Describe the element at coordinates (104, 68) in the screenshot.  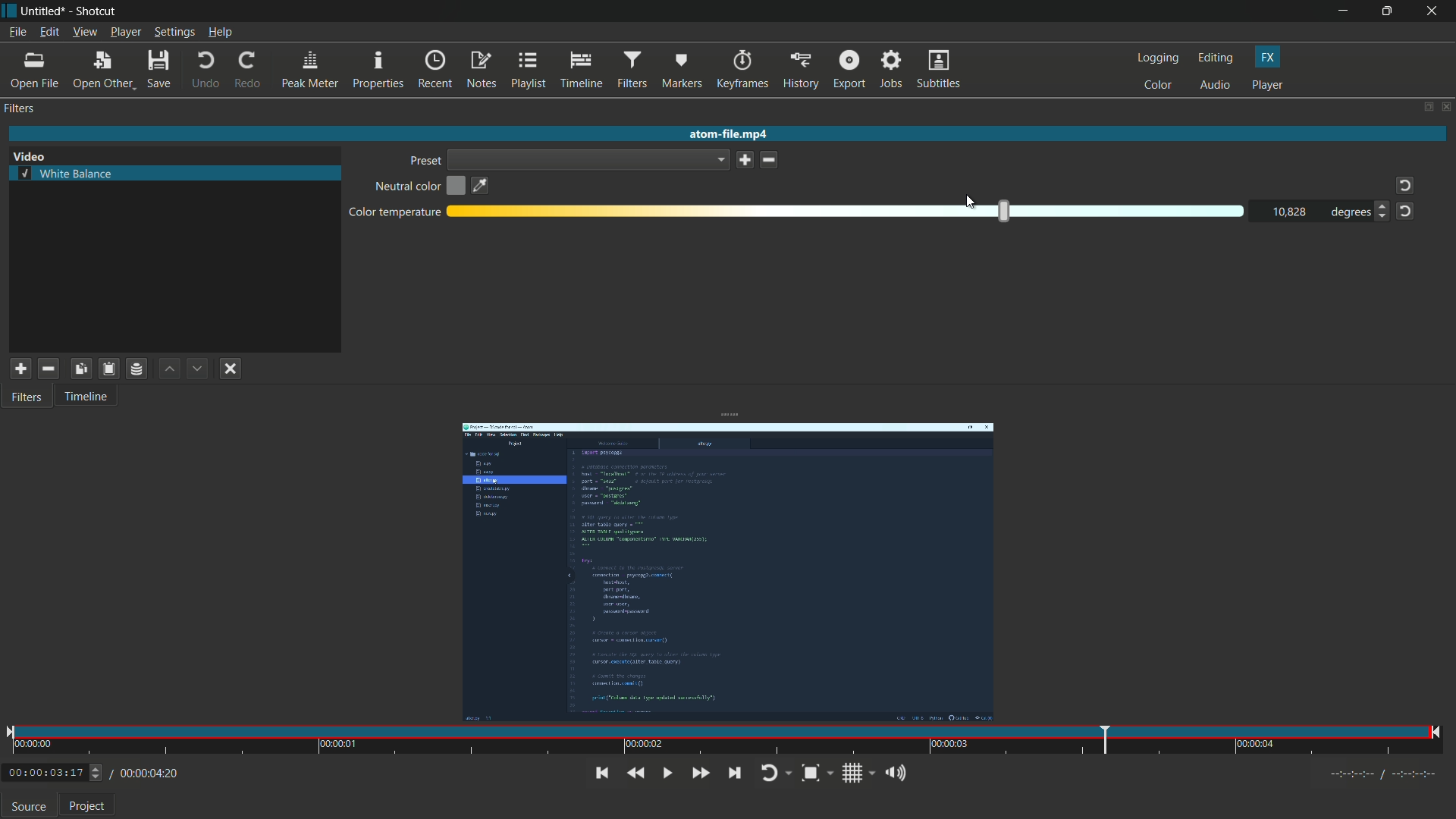
I see `open other` at that location.